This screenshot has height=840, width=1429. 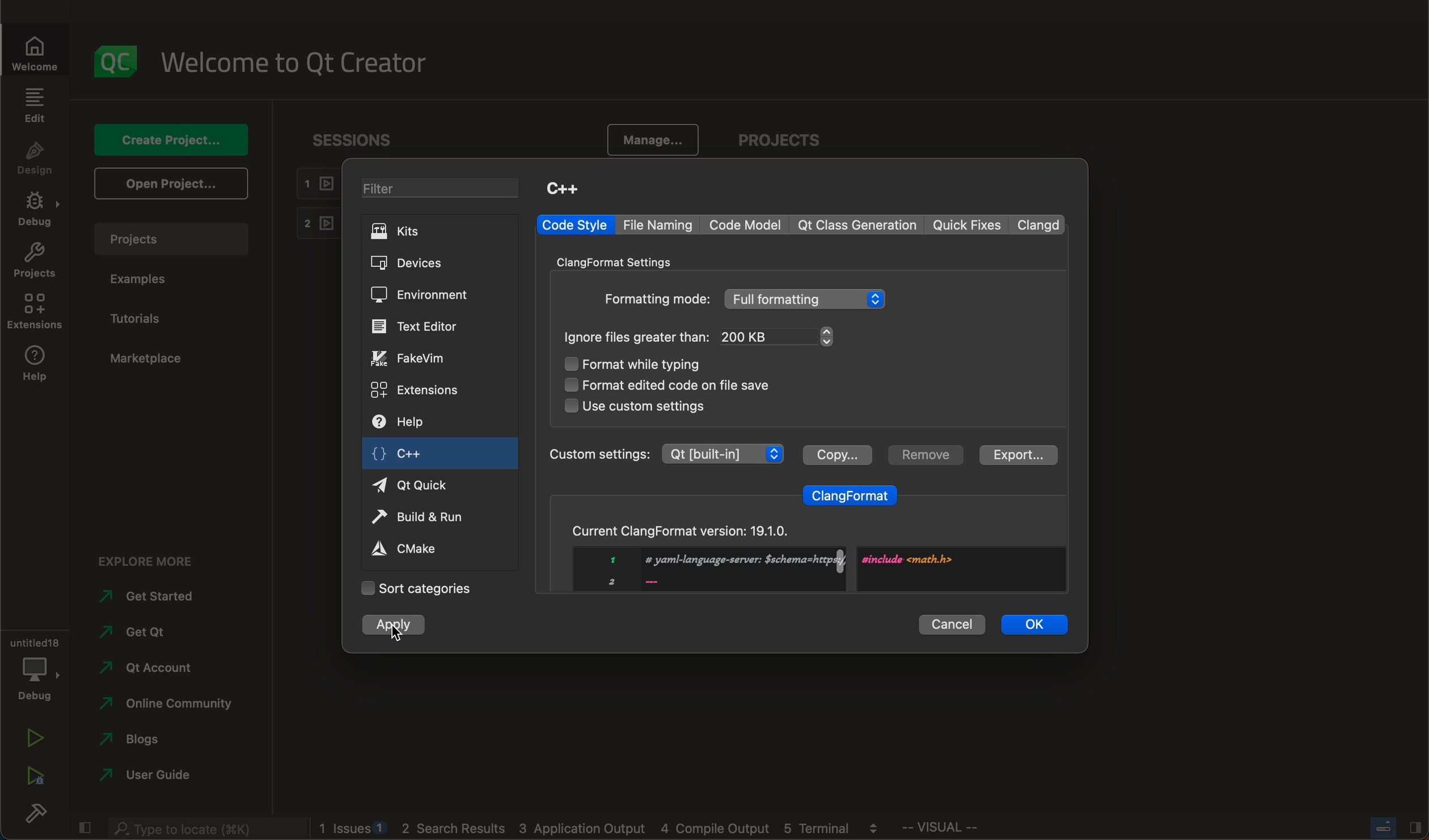 I want to click on file naming, so click(x=661, y=225).